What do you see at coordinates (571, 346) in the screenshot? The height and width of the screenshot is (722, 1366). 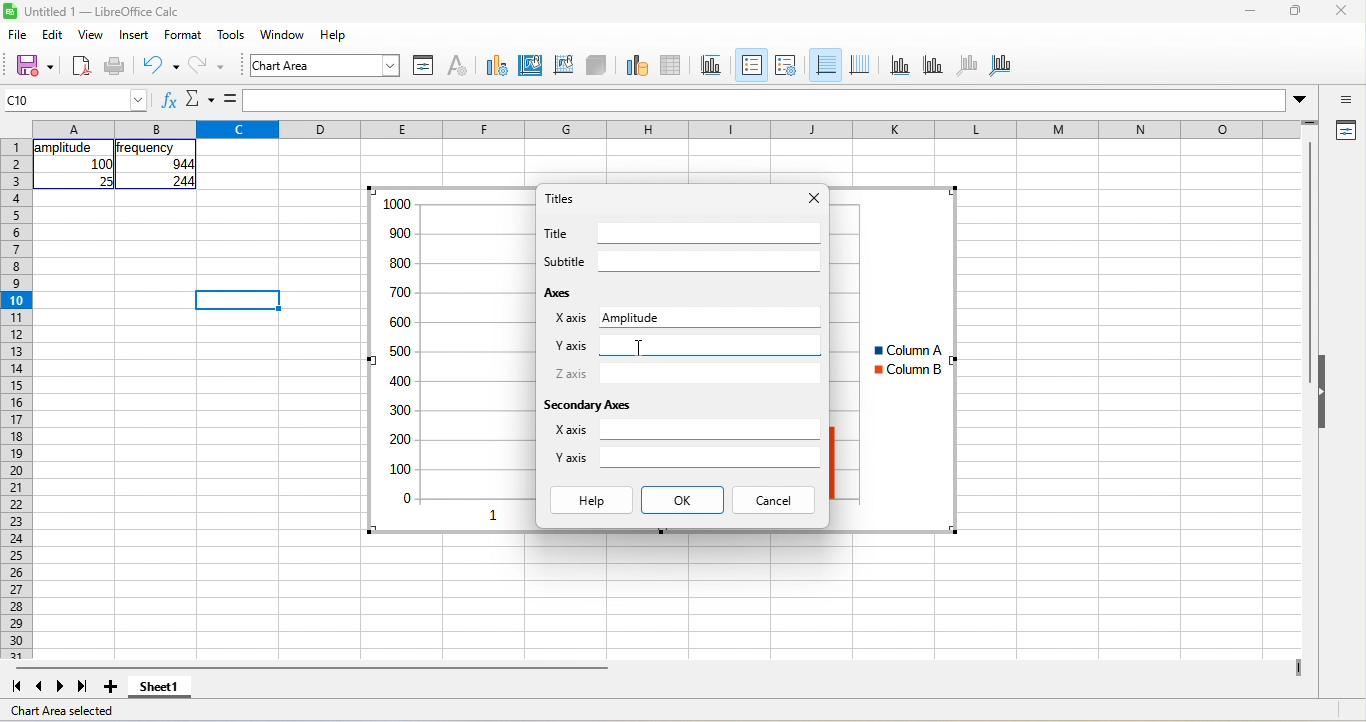 I see `Y axis` at bounding box center [571, 346].